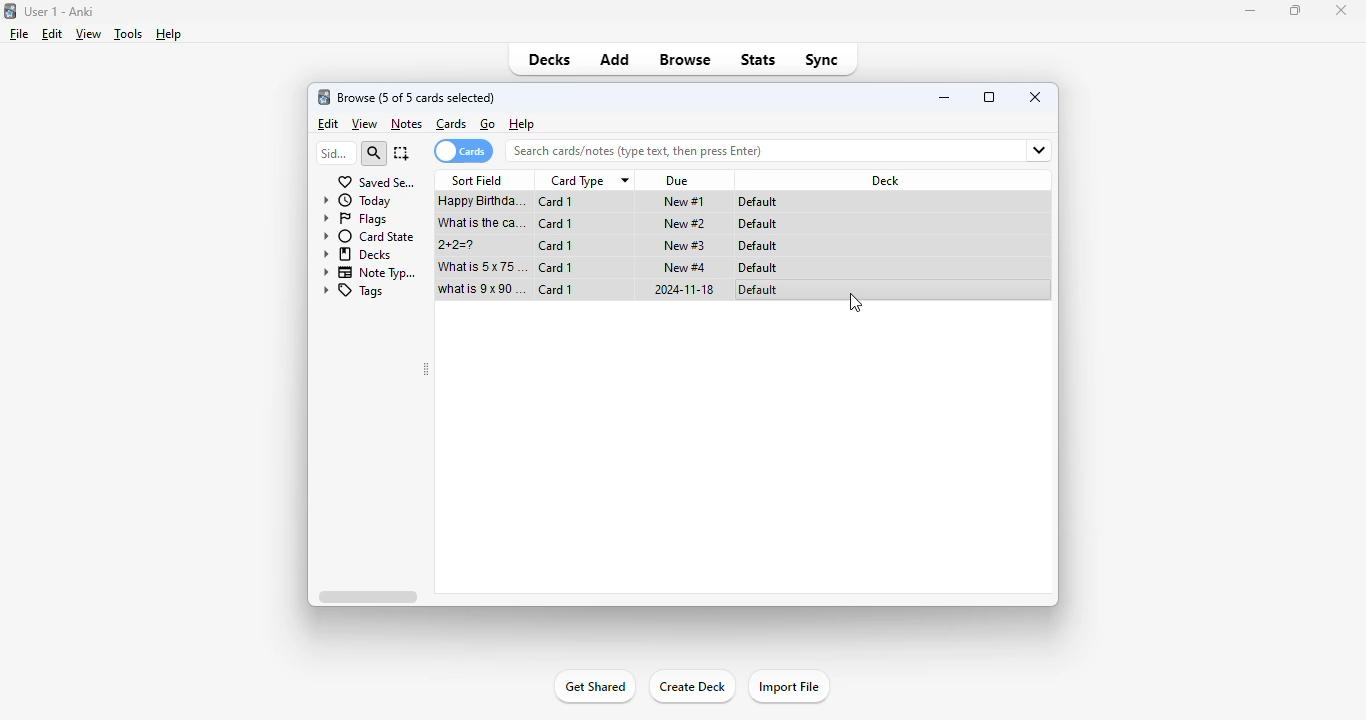 Image resolution: width=1366 pixels, height=720 pixels. Describe the element at coordinates (679, 181) in the screenshot. I see `due` at that location.